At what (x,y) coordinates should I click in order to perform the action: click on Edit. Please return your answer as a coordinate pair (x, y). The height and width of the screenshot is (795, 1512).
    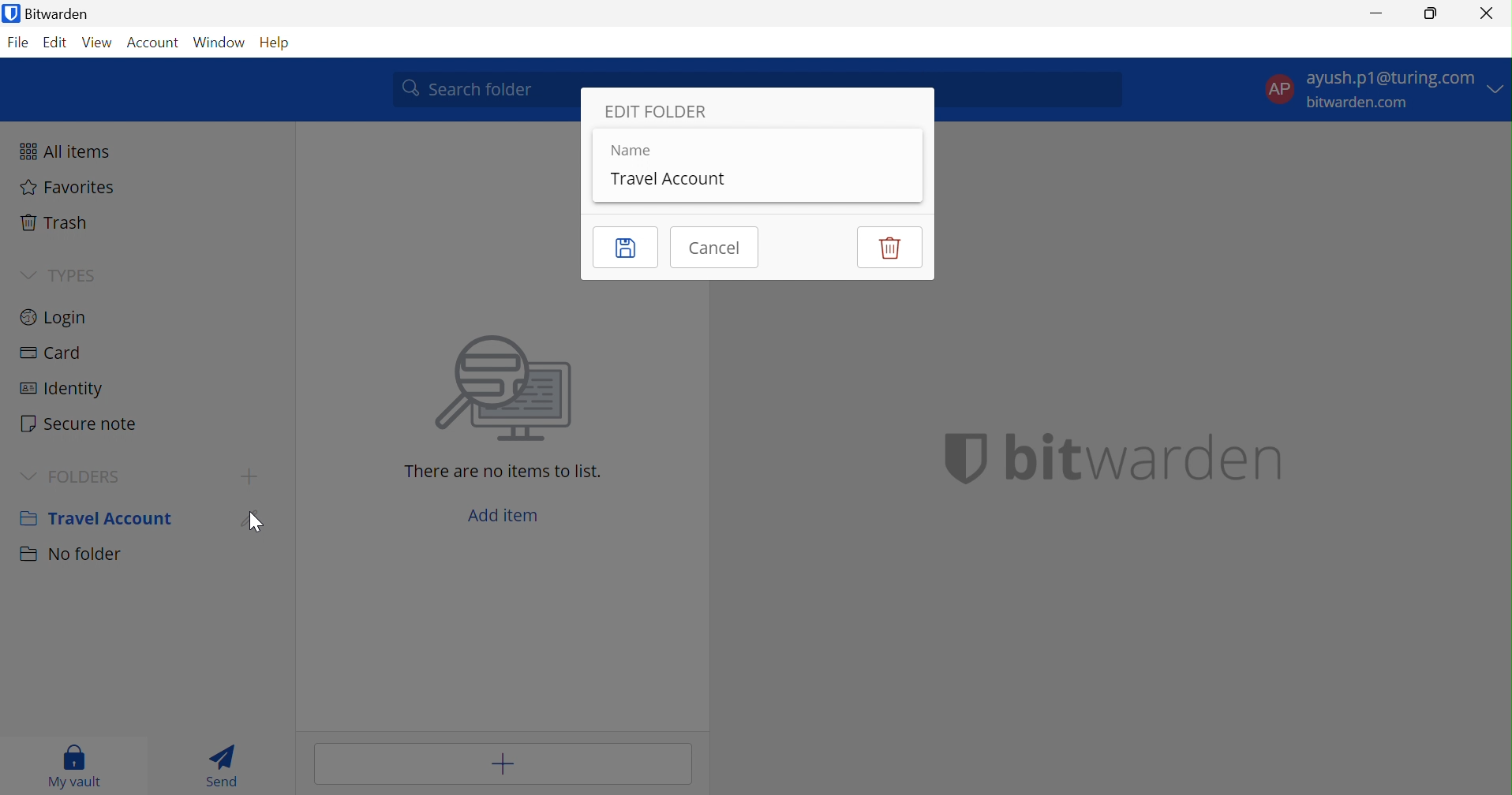
    Looking at the image, I should click on (256, 518).